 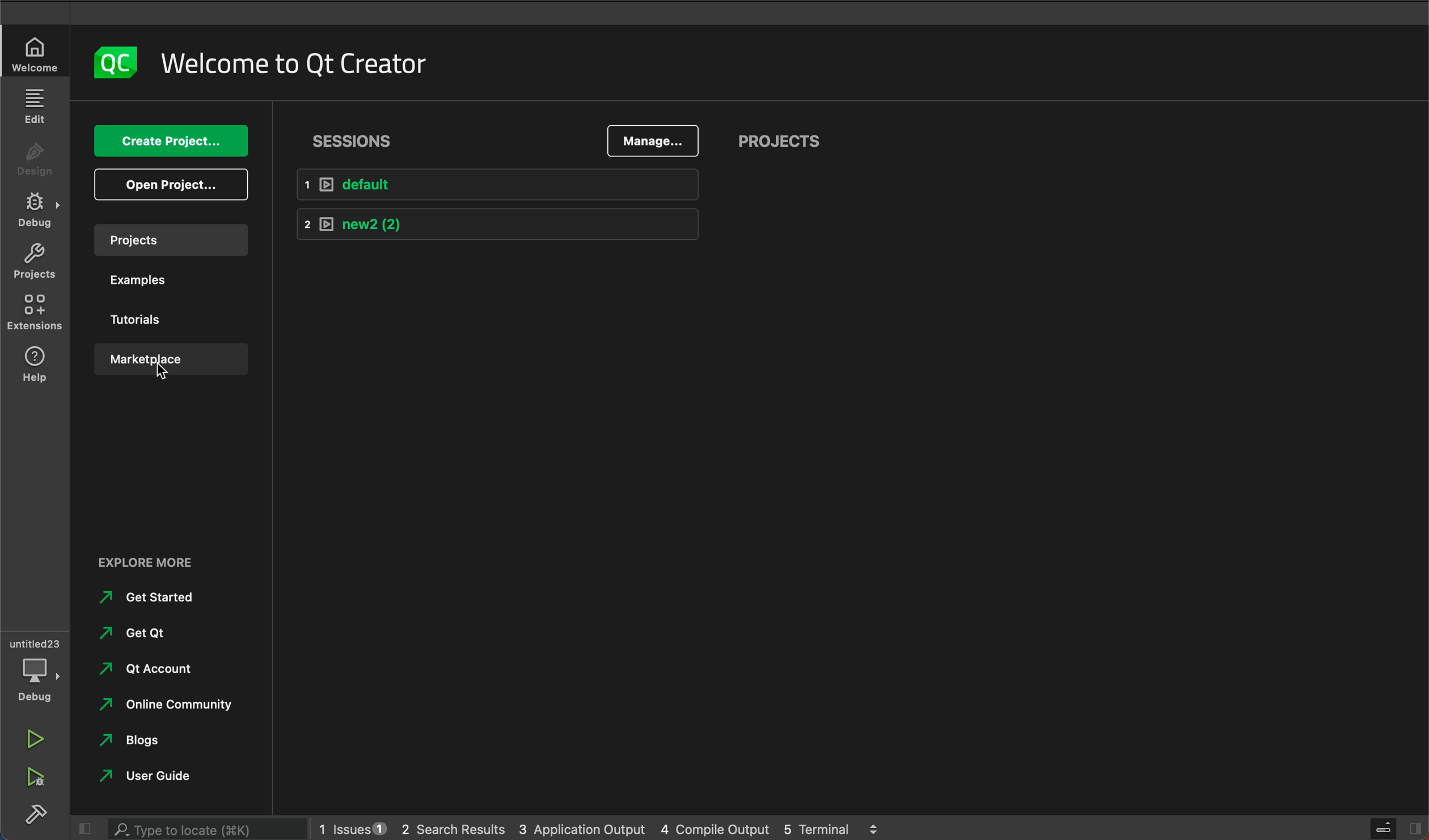 I want to click on new 2, so click(x=497, y=224).